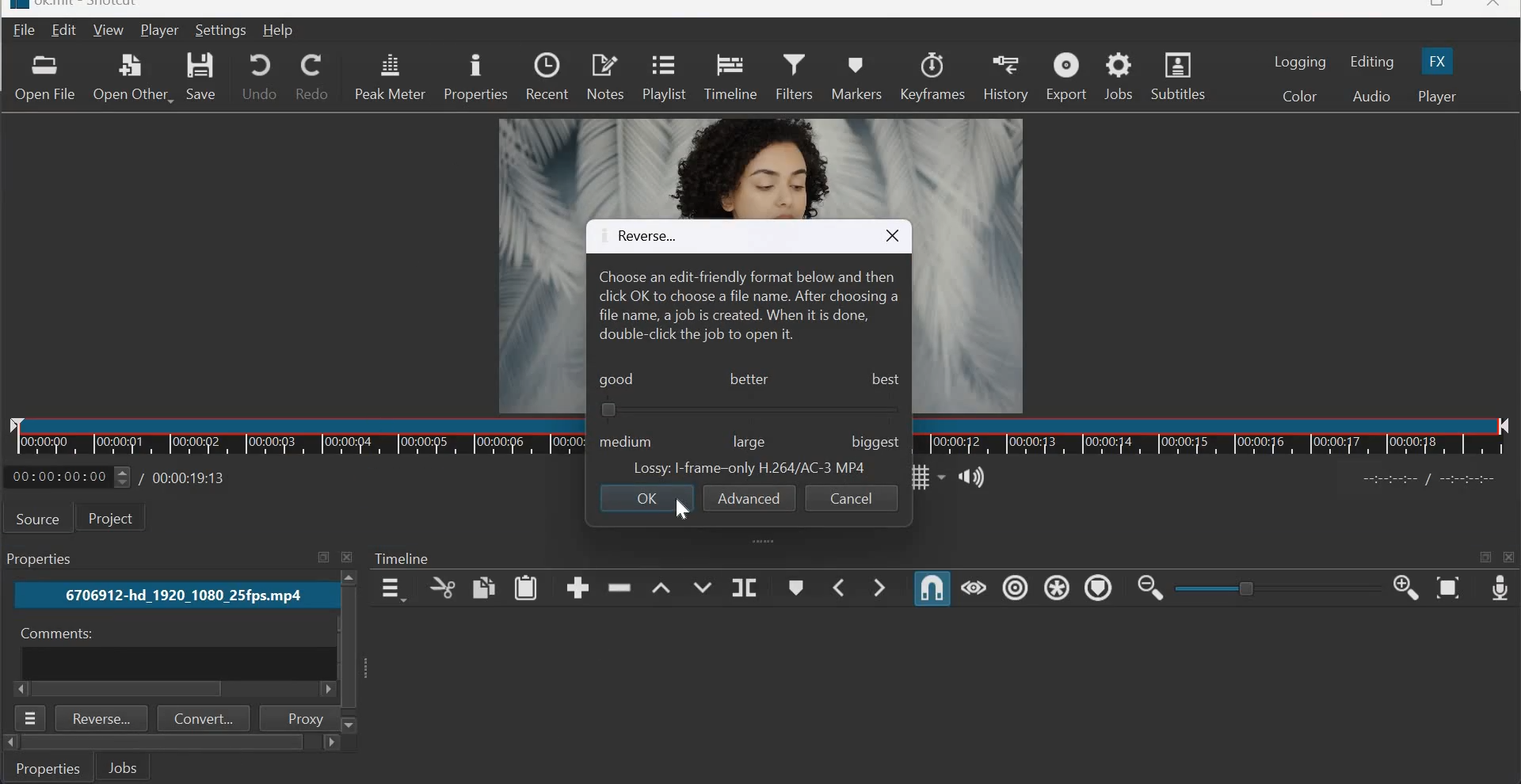 The height and width of the screenshot is (784, 1521). I want to click on Filters, so click(794, 77).